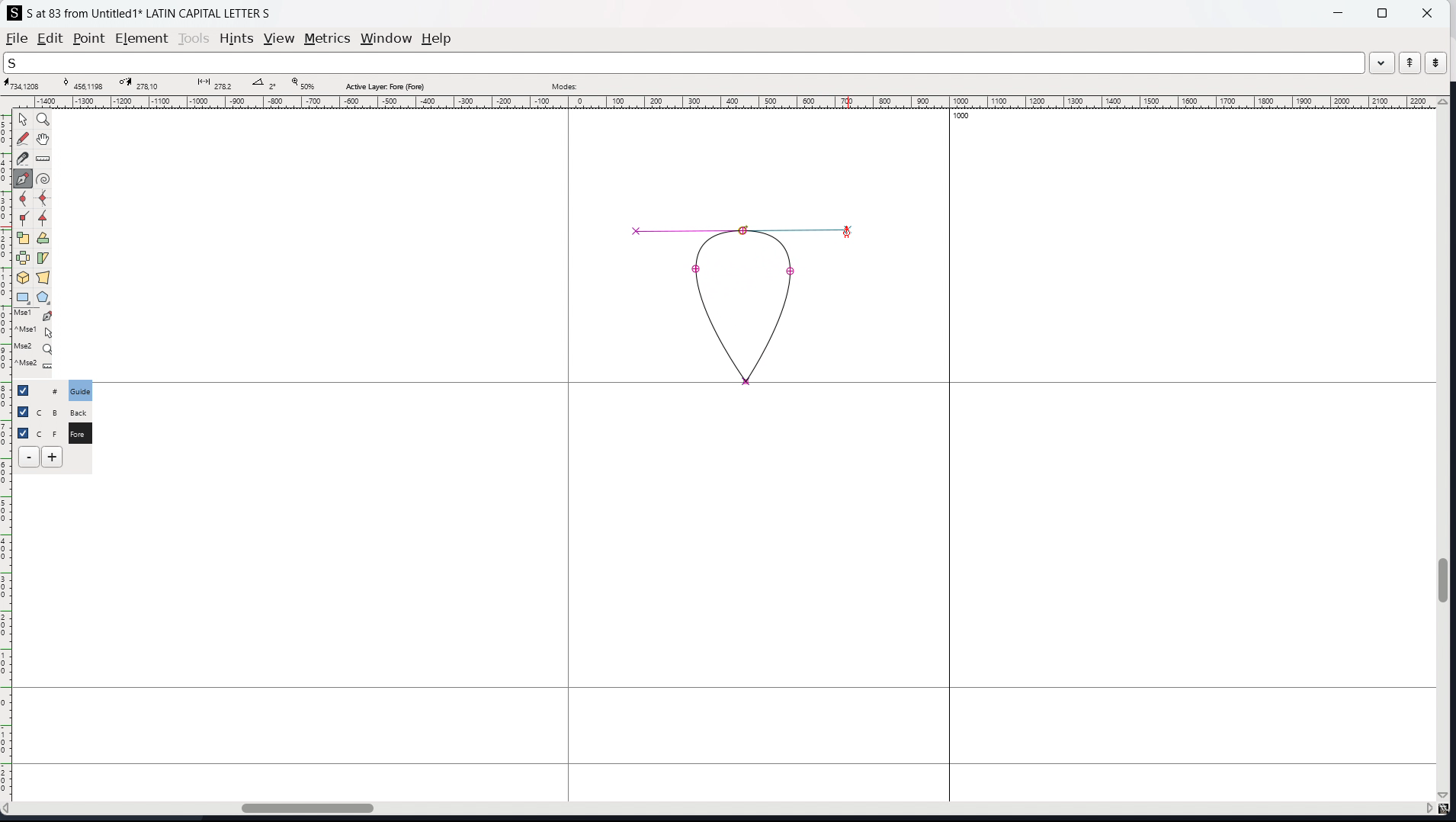 Image resolution: width=1456 pixels, height=822 pixels. I want to click on magnify, so click(44, 120).